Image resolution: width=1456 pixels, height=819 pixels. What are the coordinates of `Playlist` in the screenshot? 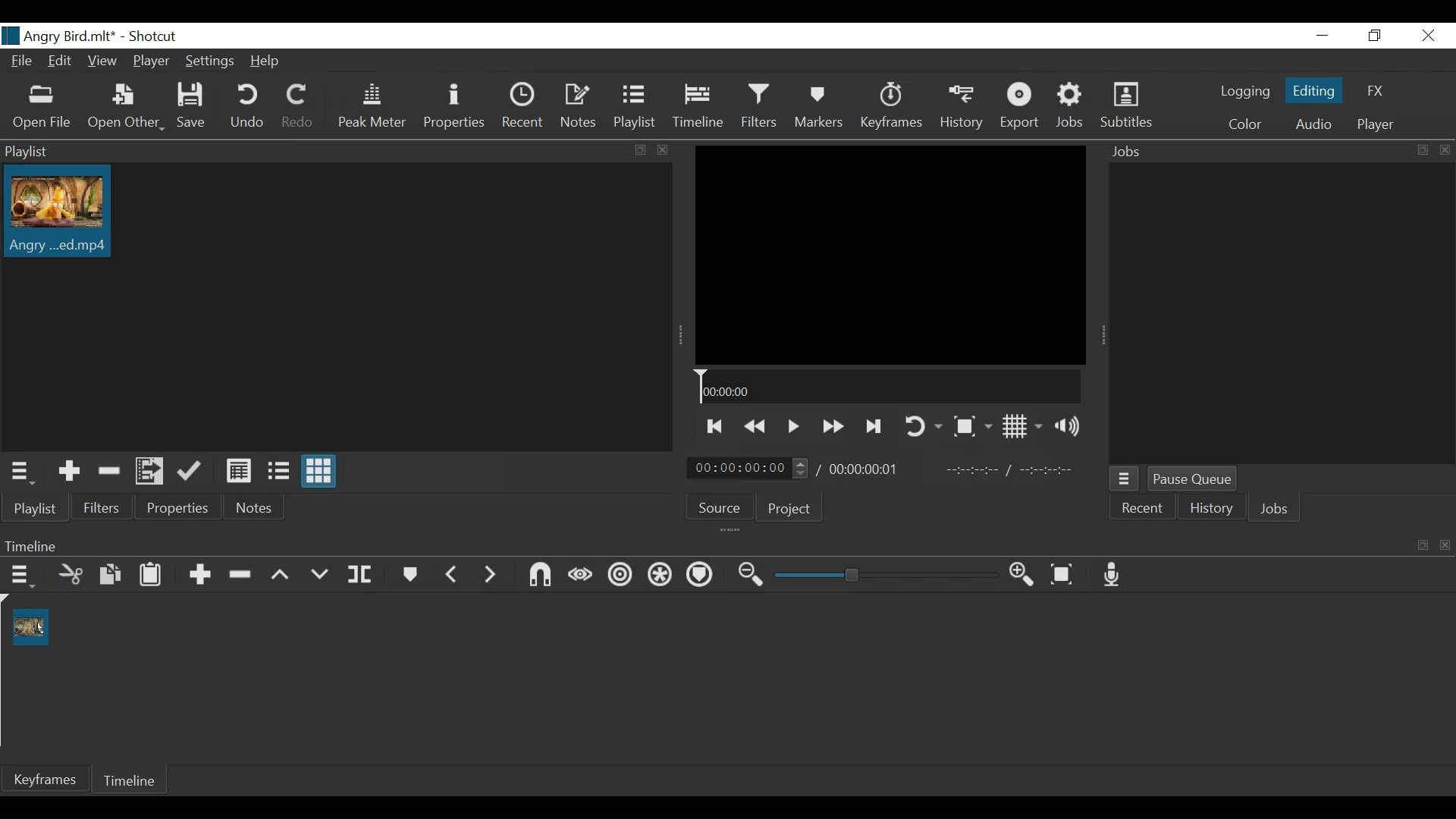 It's located at (639, 108).